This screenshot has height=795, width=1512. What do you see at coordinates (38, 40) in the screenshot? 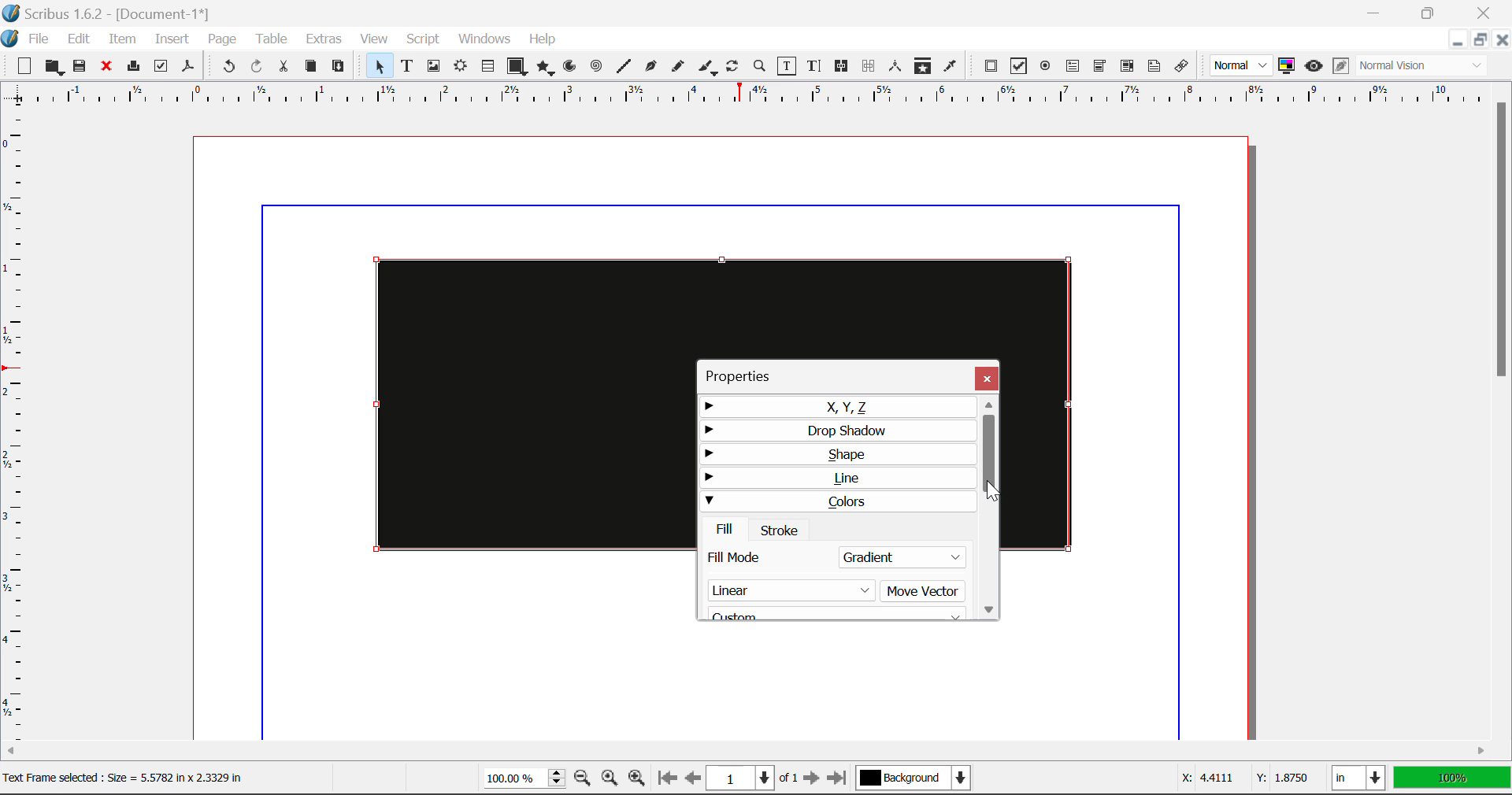
I see `File` at bounding box center [38, 40].